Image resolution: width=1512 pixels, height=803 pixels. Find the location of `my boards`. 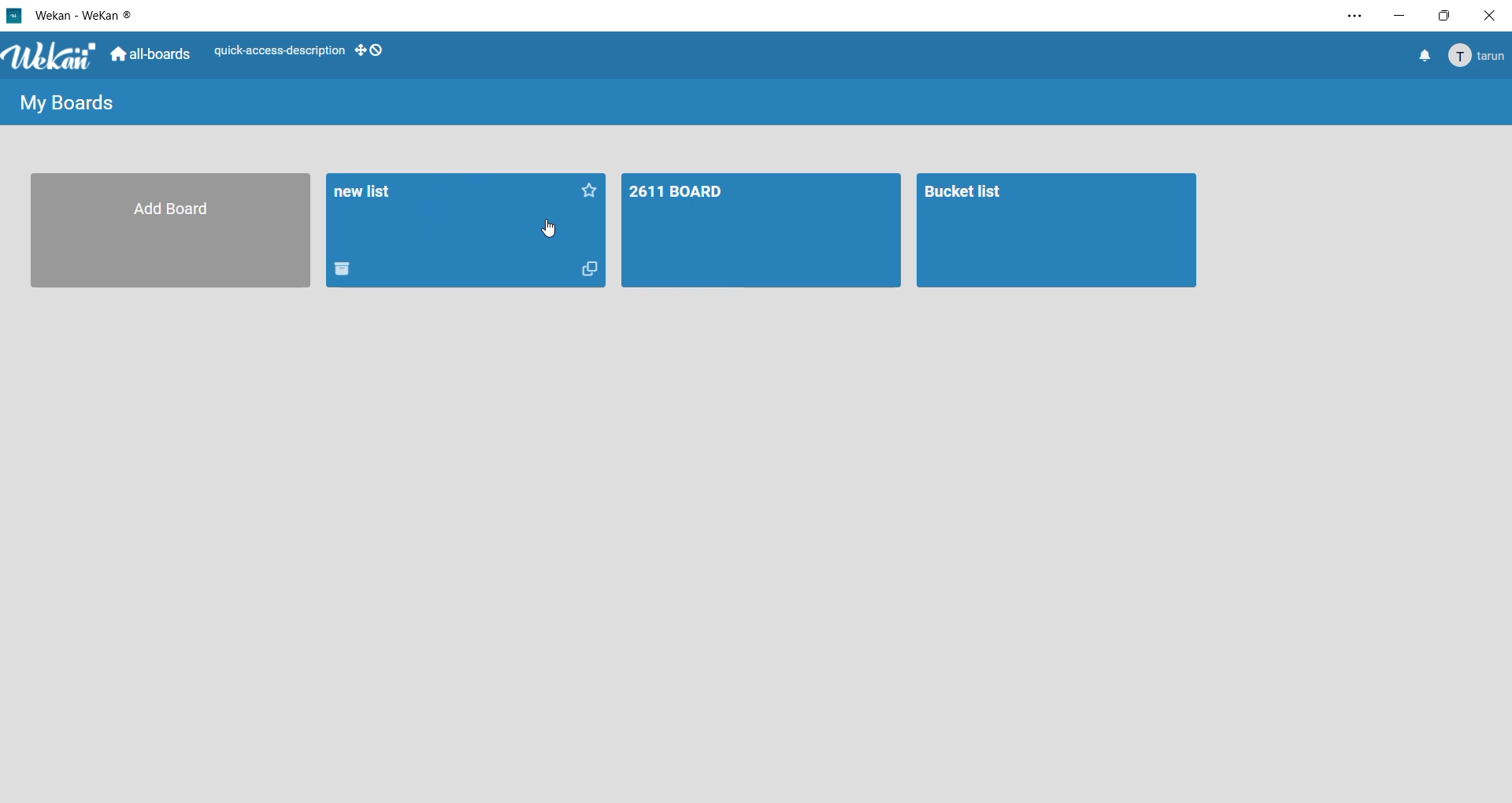

my boards is located at coordinates (69, 105).